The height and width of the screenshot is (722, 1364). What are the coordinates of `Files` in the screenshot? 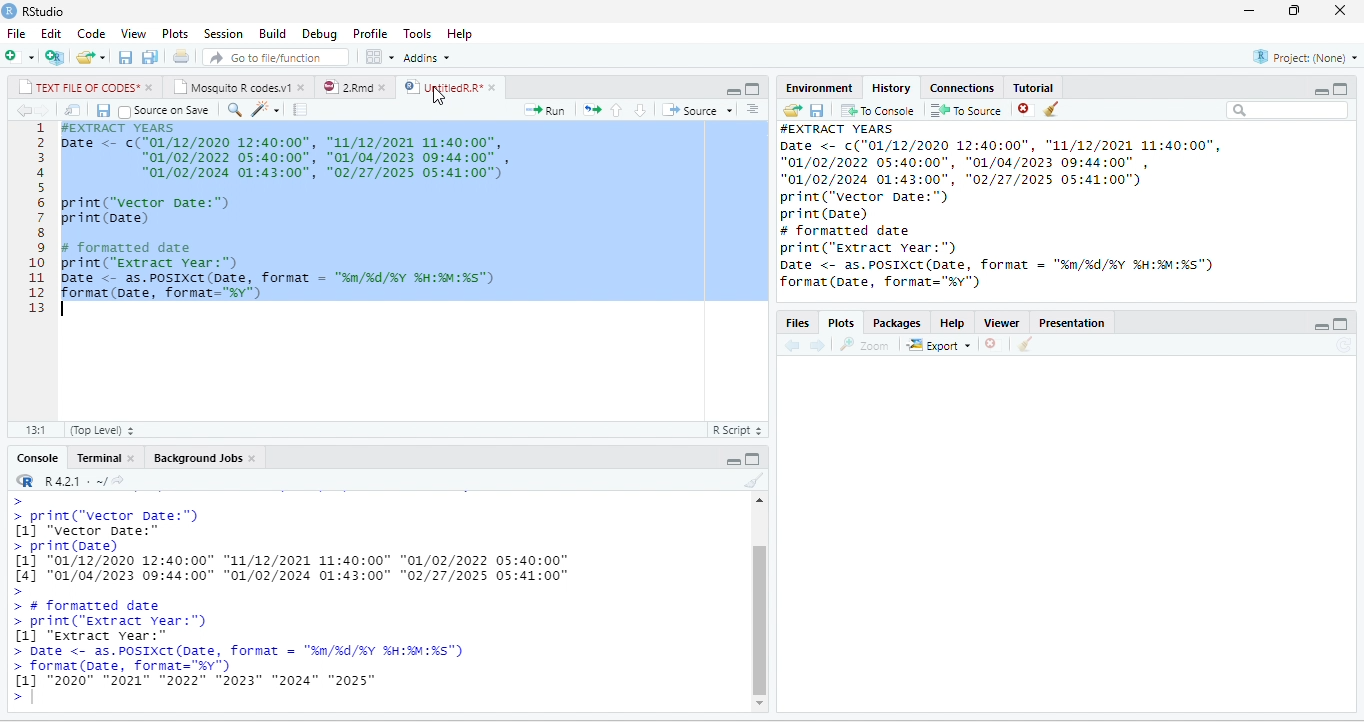 It's located at (799, 324).